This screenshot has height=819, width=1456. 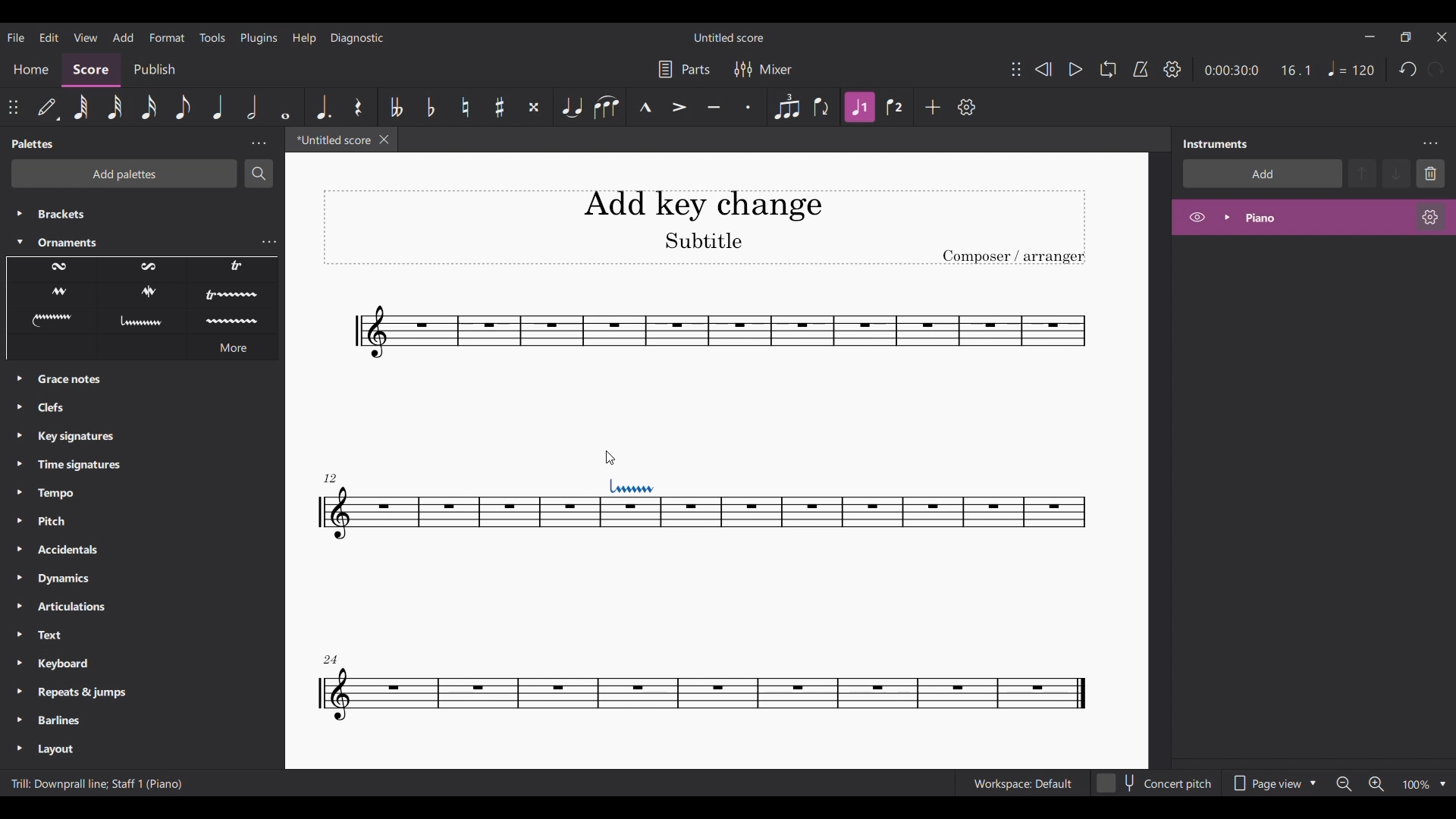 What do you see at coordinates (824, 107) in the screenshot?
I see `Flip direction` at bounding box center [824, 107].